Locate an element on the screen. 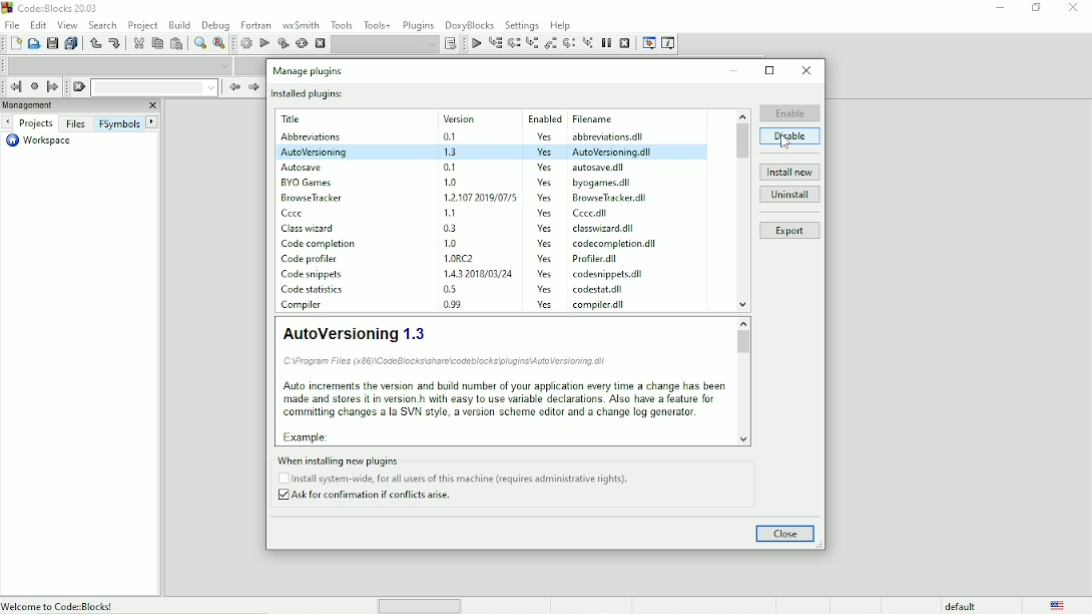 The image size is (1092, 614). Enable is located at coordinates (789, 111).